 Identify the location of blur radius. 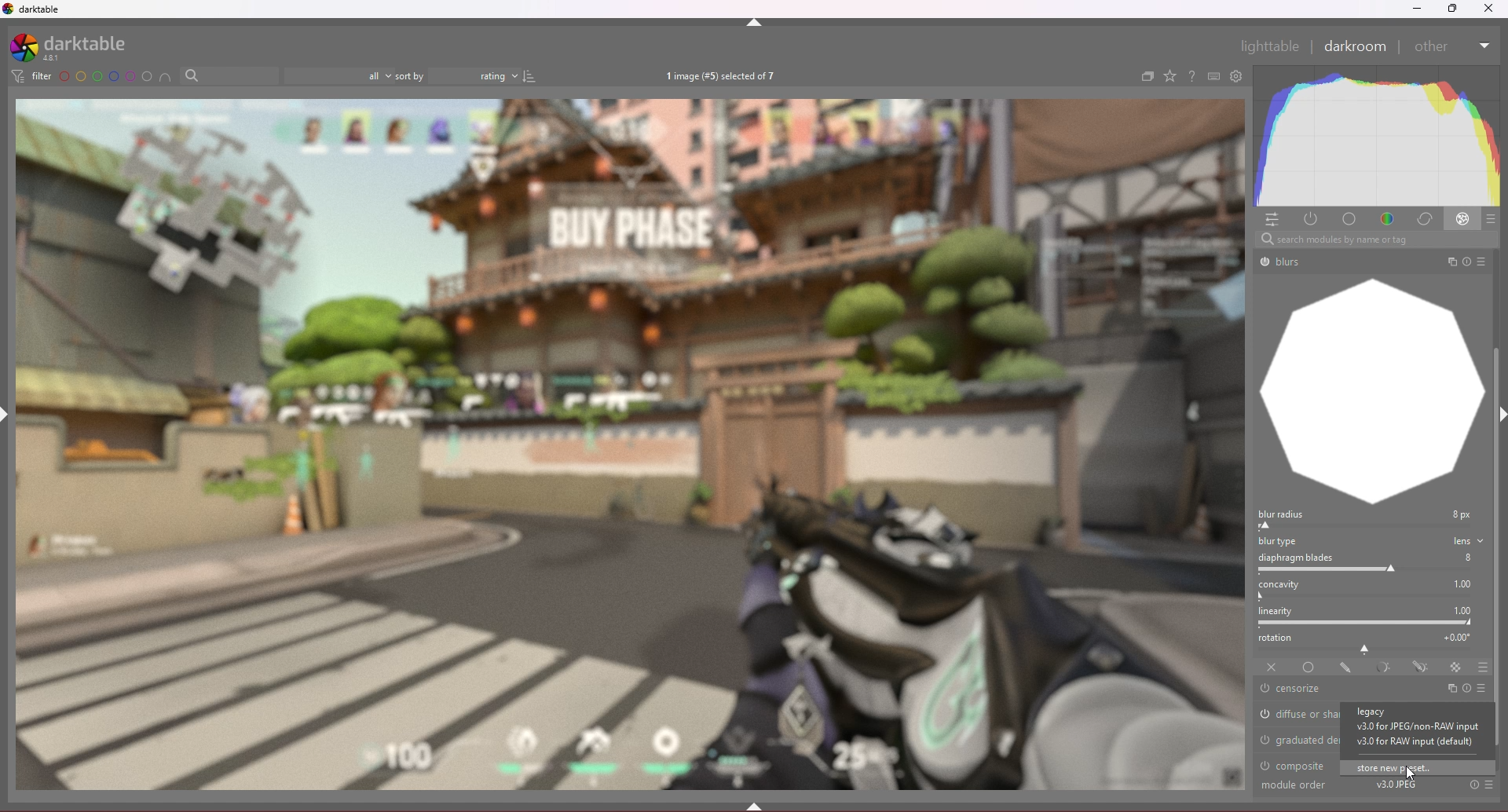
(1369, 519).